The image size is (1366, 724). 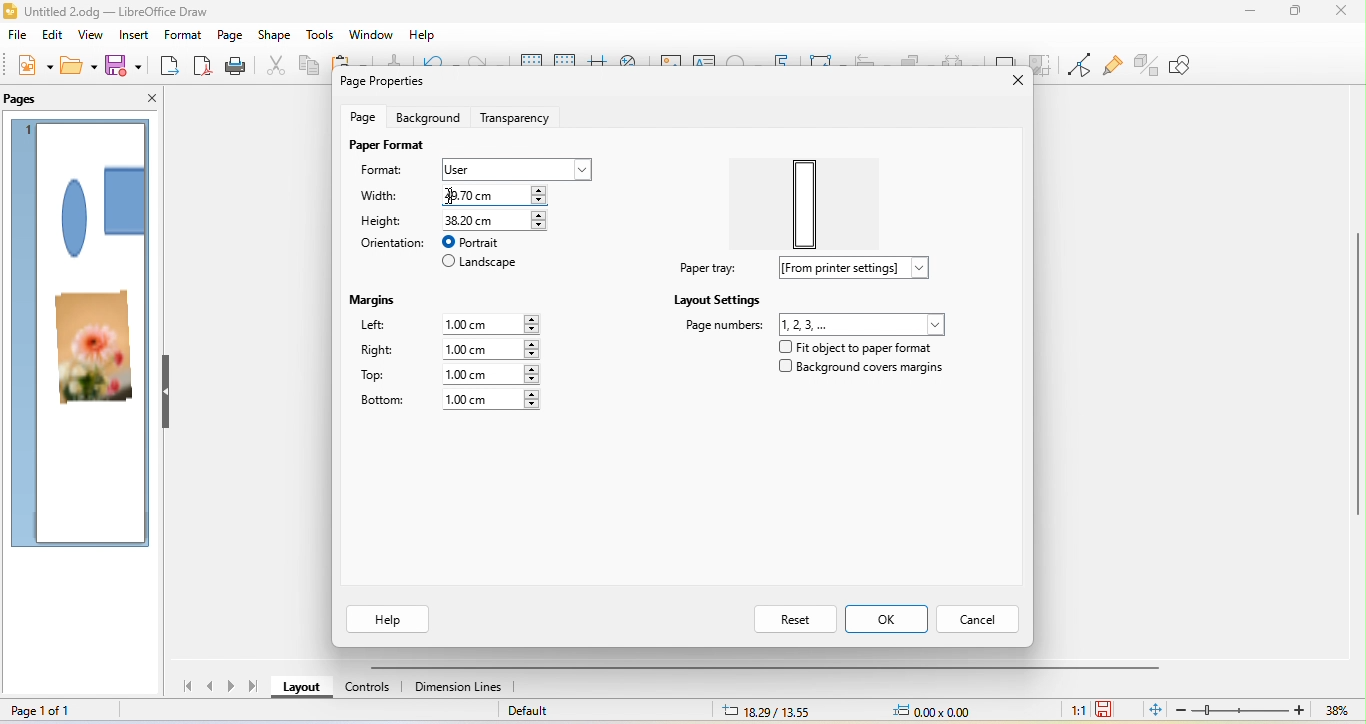 I want to click on fit object to paper format, so click(x=867, y=345).